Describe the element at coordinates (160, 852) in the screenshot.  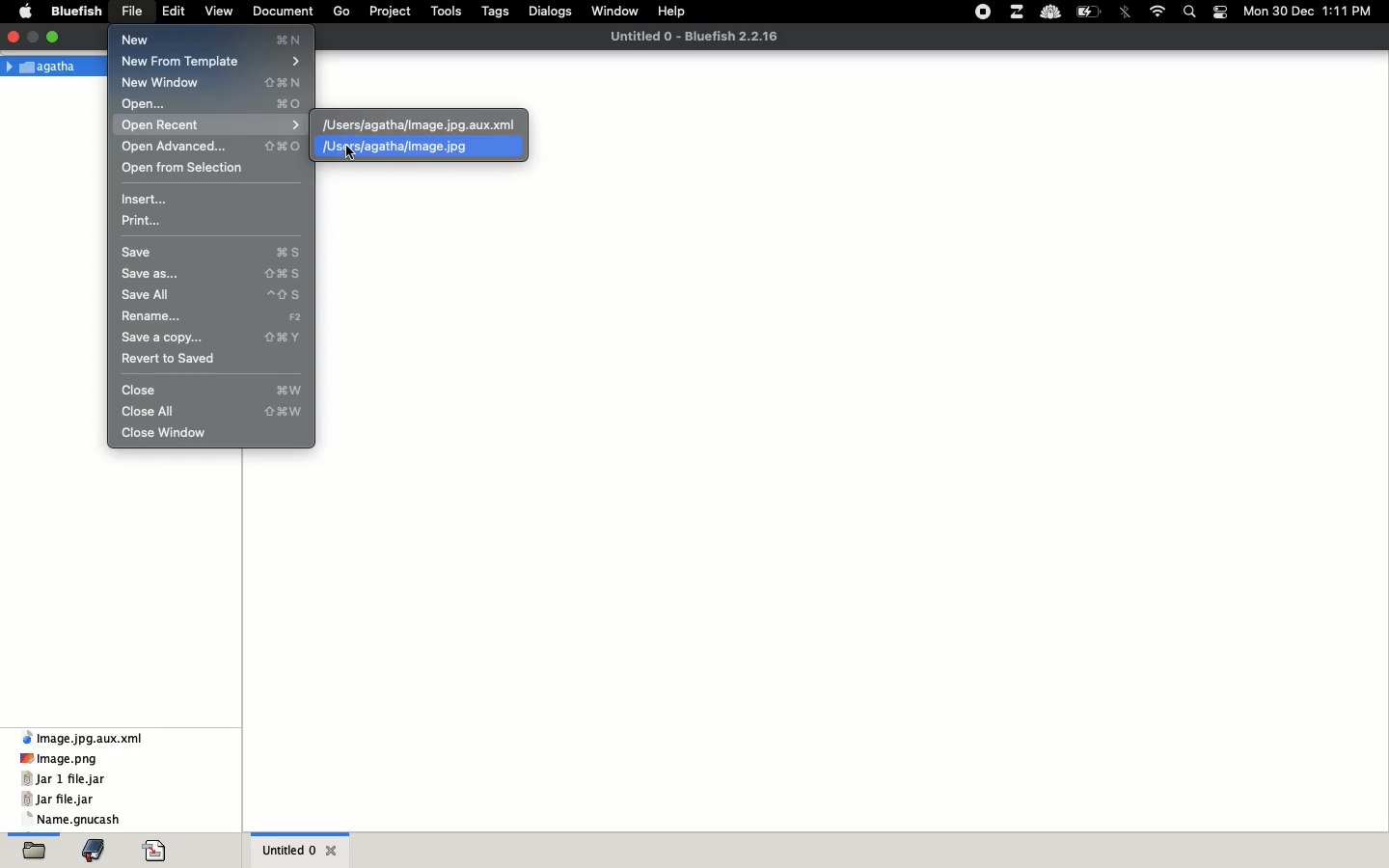
I see `coding` at that location.